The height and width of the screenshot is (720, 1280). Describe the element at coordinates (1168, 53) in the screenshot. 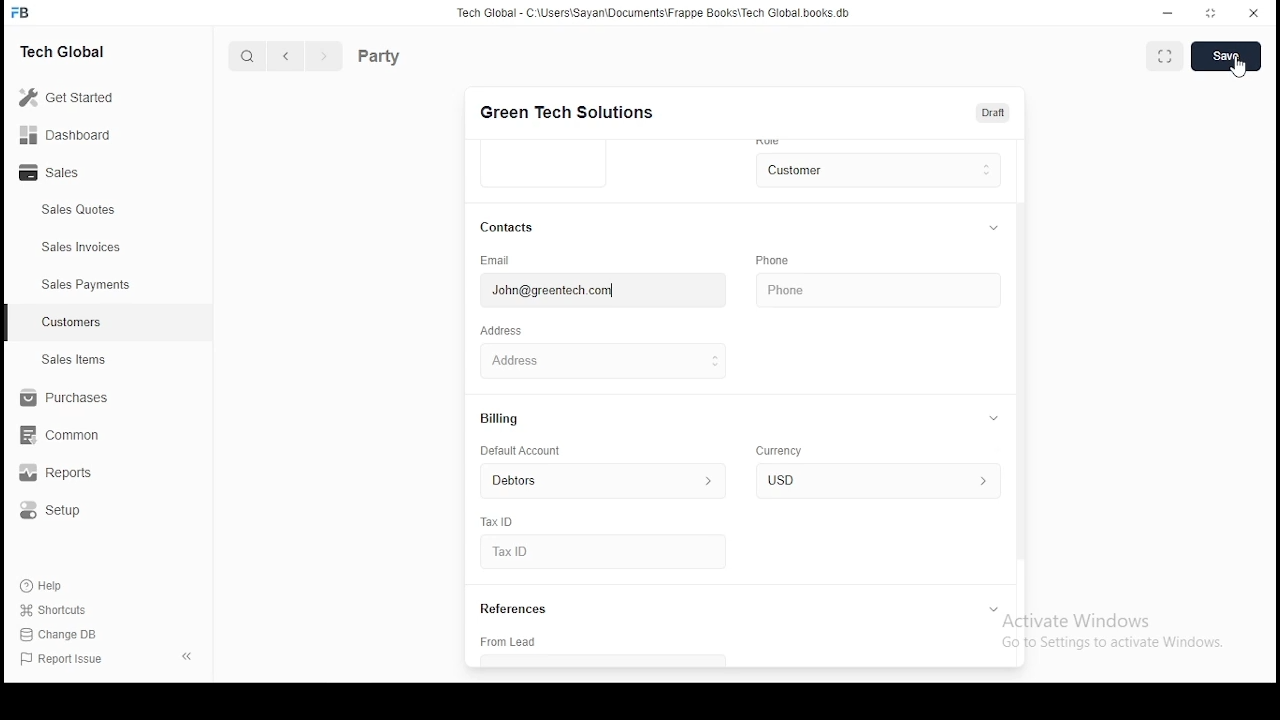

I see `toggle between form and fullscreen` at that location.